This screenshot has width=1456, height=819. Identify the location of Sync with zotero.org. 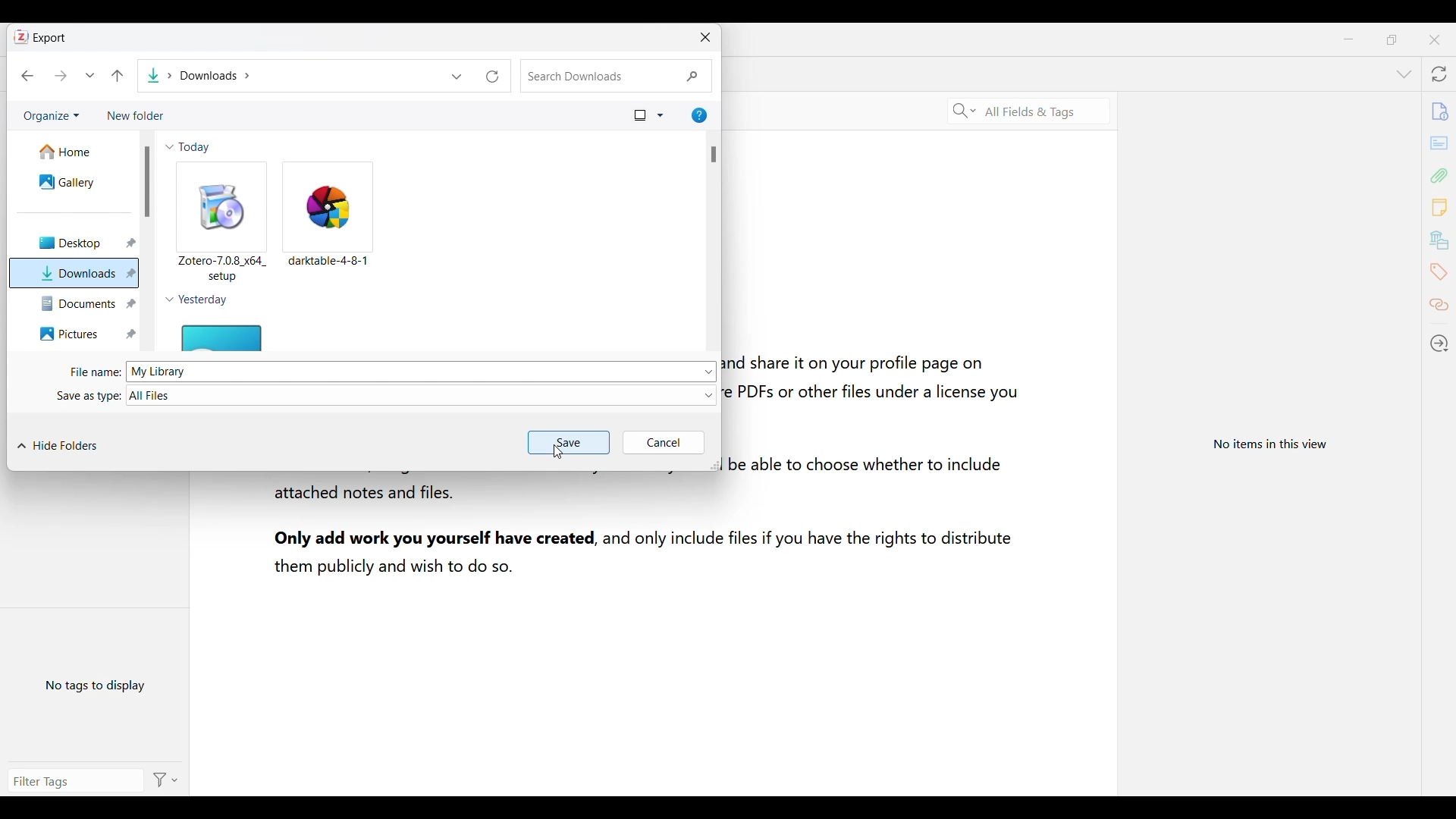
(1439, 74).